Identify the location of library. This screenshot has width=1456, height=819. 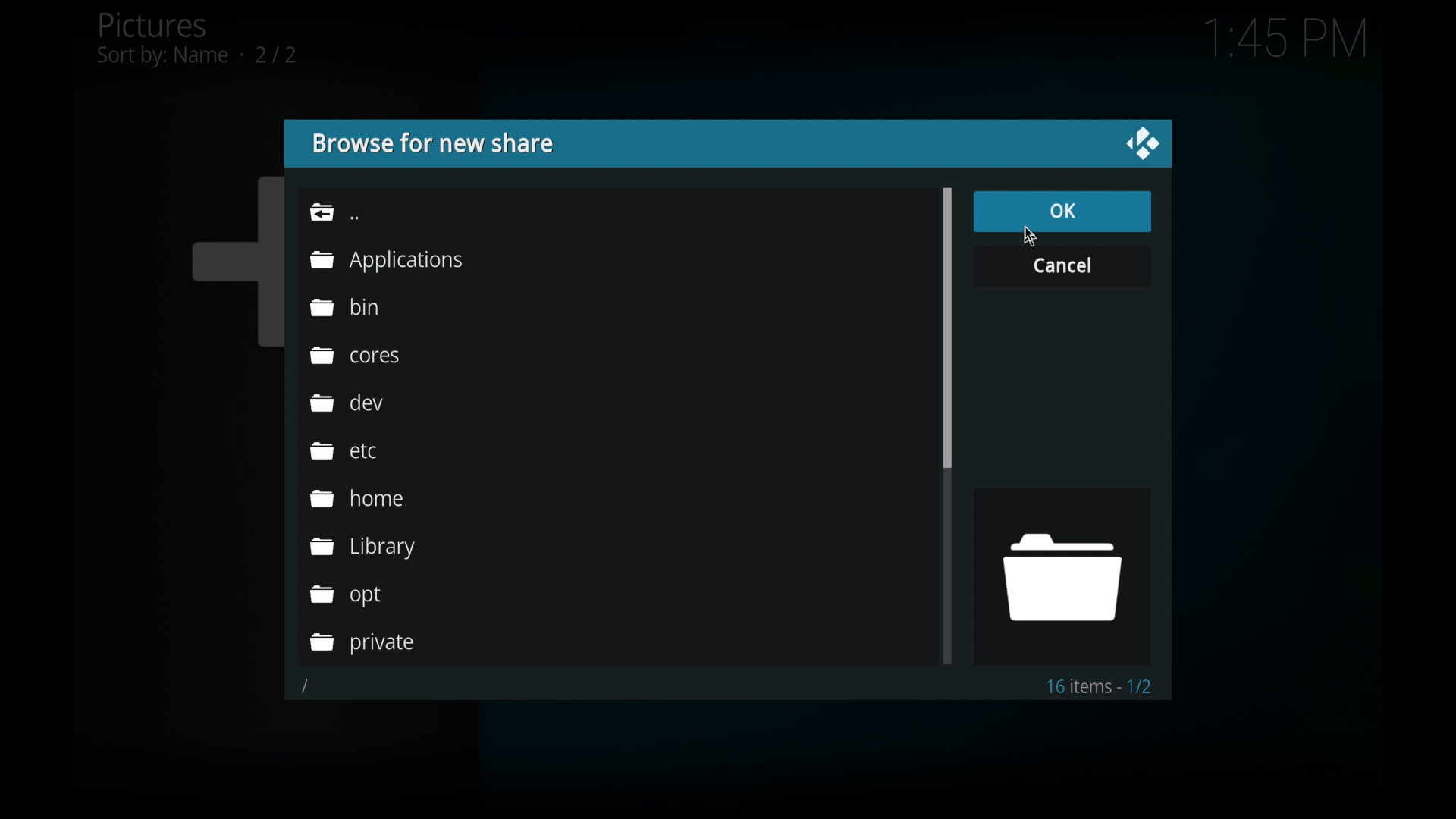
(364, 547).